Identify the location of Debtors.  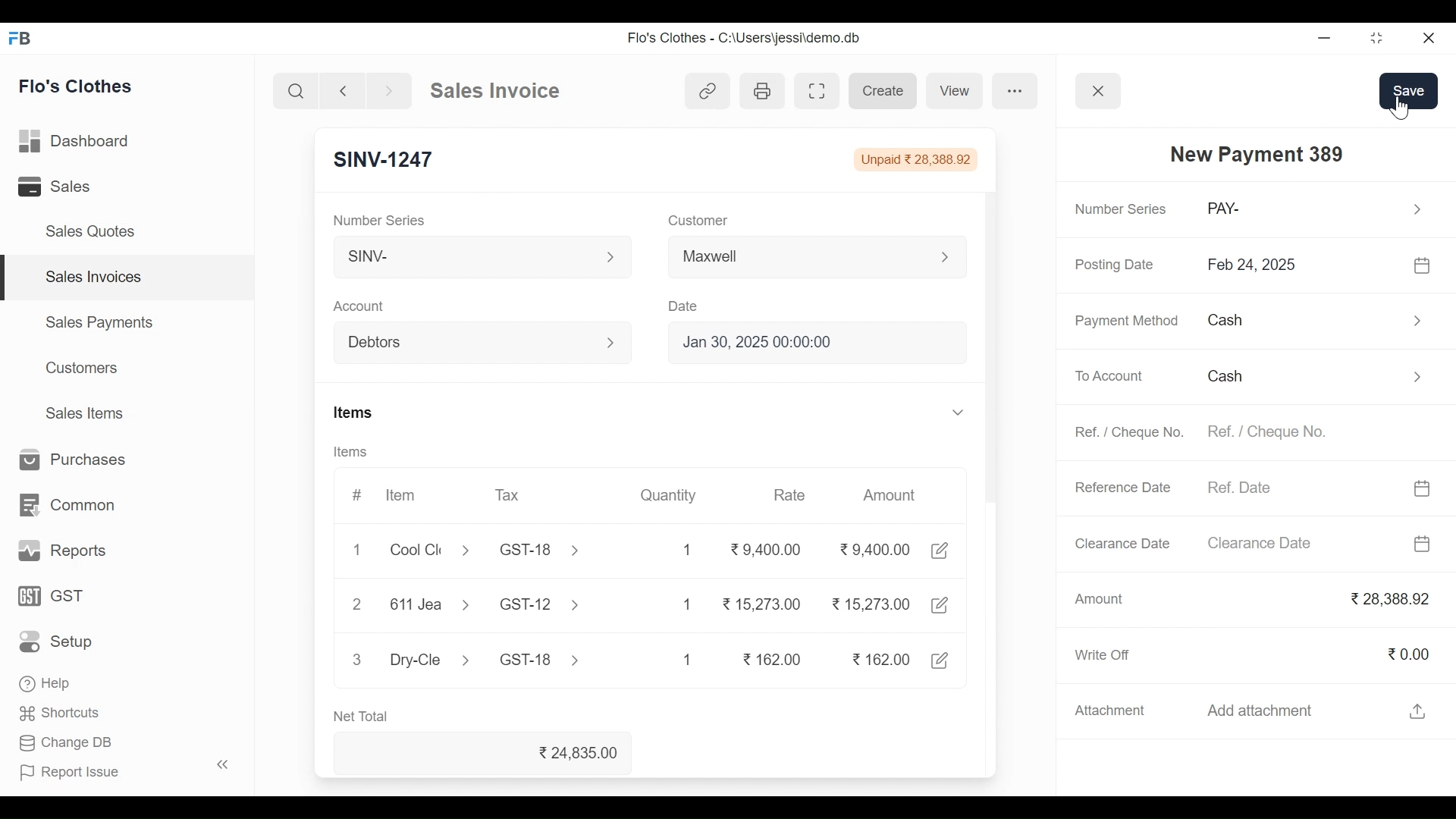
(461, 339).